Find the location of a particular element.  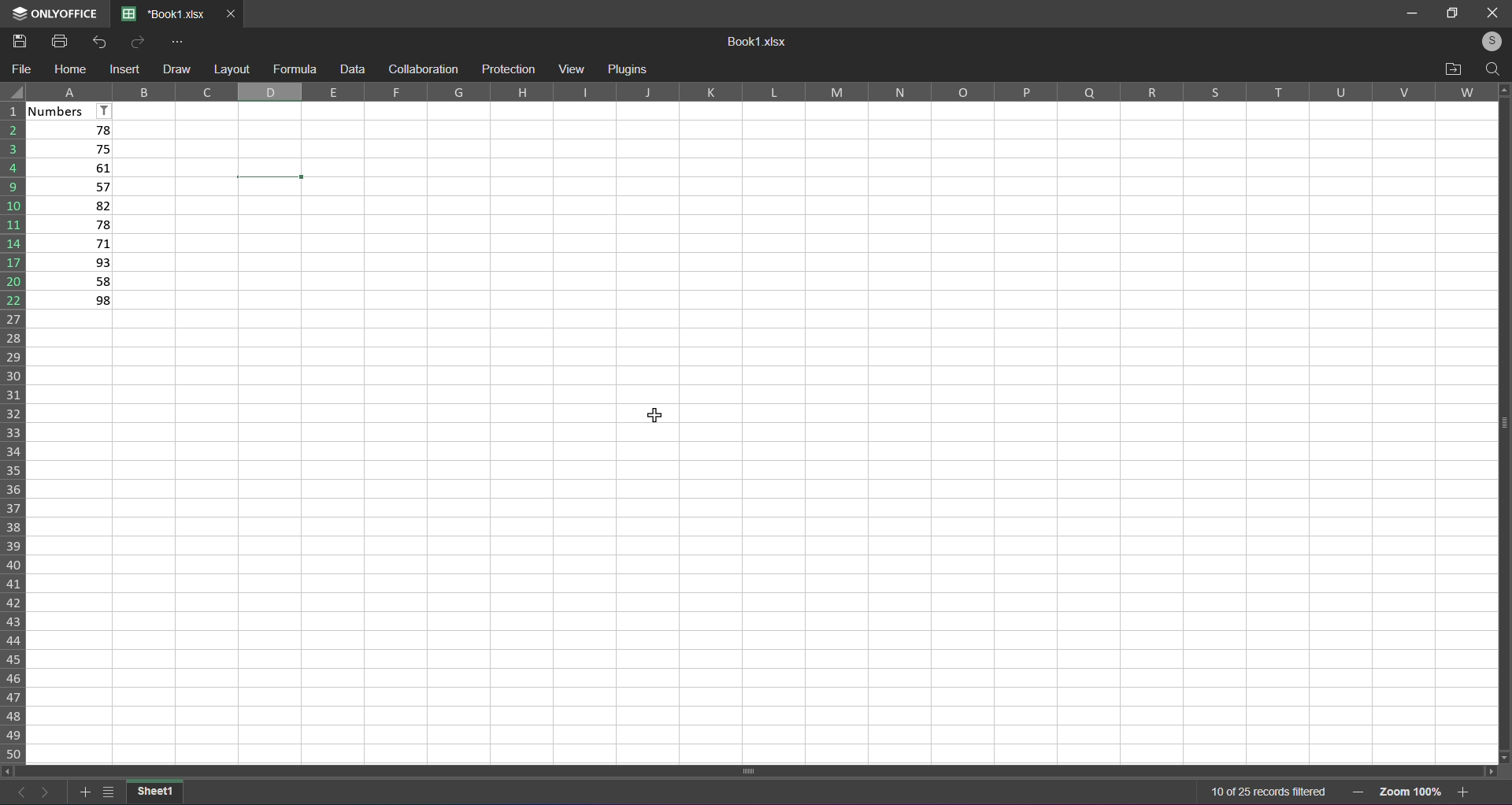

Move up is located at coordinates (1503, 90).